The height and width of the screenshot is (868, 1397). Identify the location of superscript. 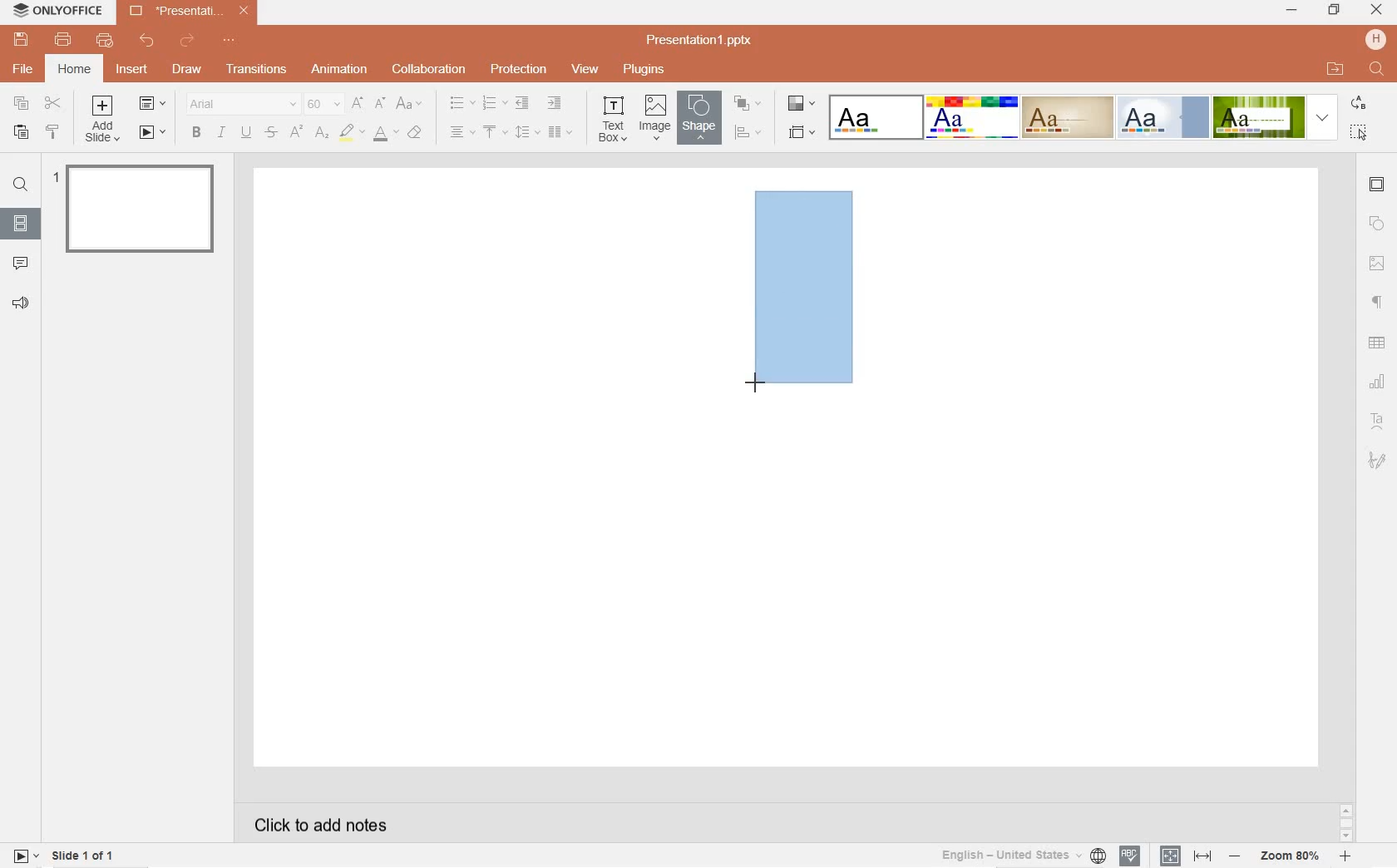
(296, 133).